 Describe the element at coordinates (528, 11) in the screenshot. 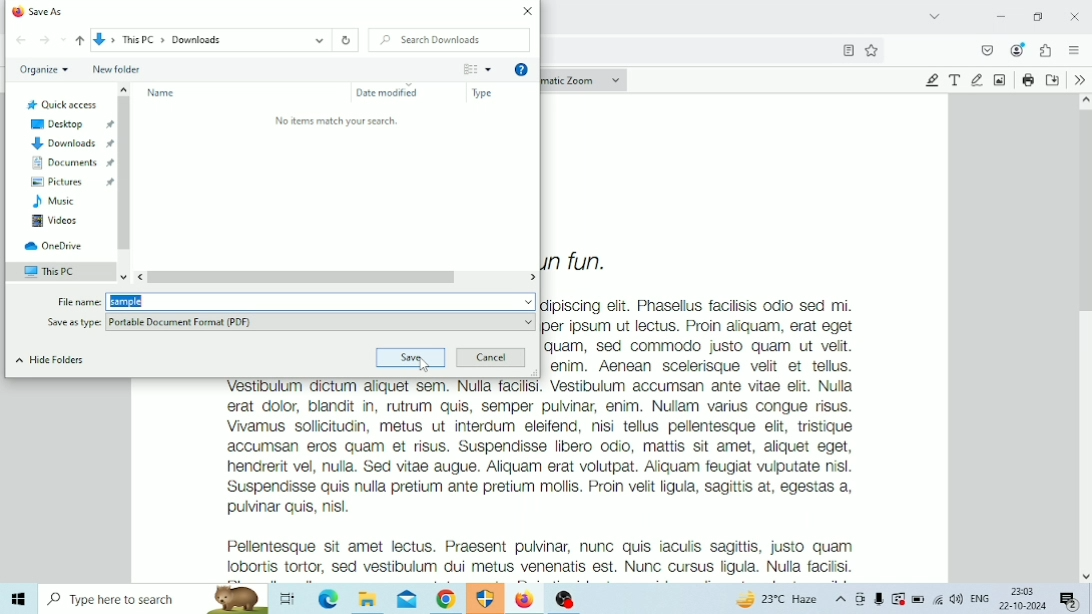

I see `Close` at that location.